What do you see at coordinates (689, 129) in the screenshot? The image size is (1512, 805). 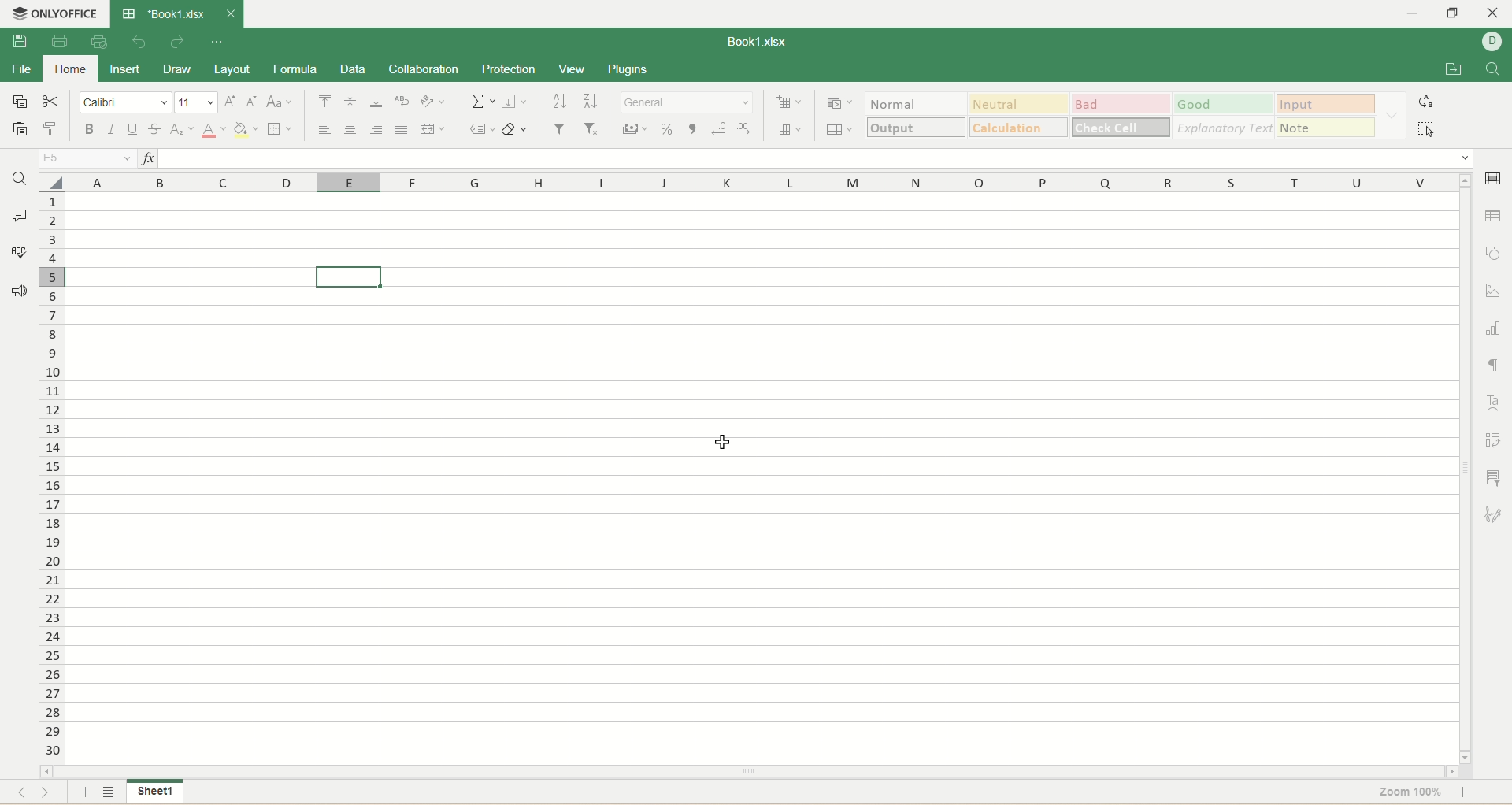 I see `comma style` at bounding box center [689, 129].